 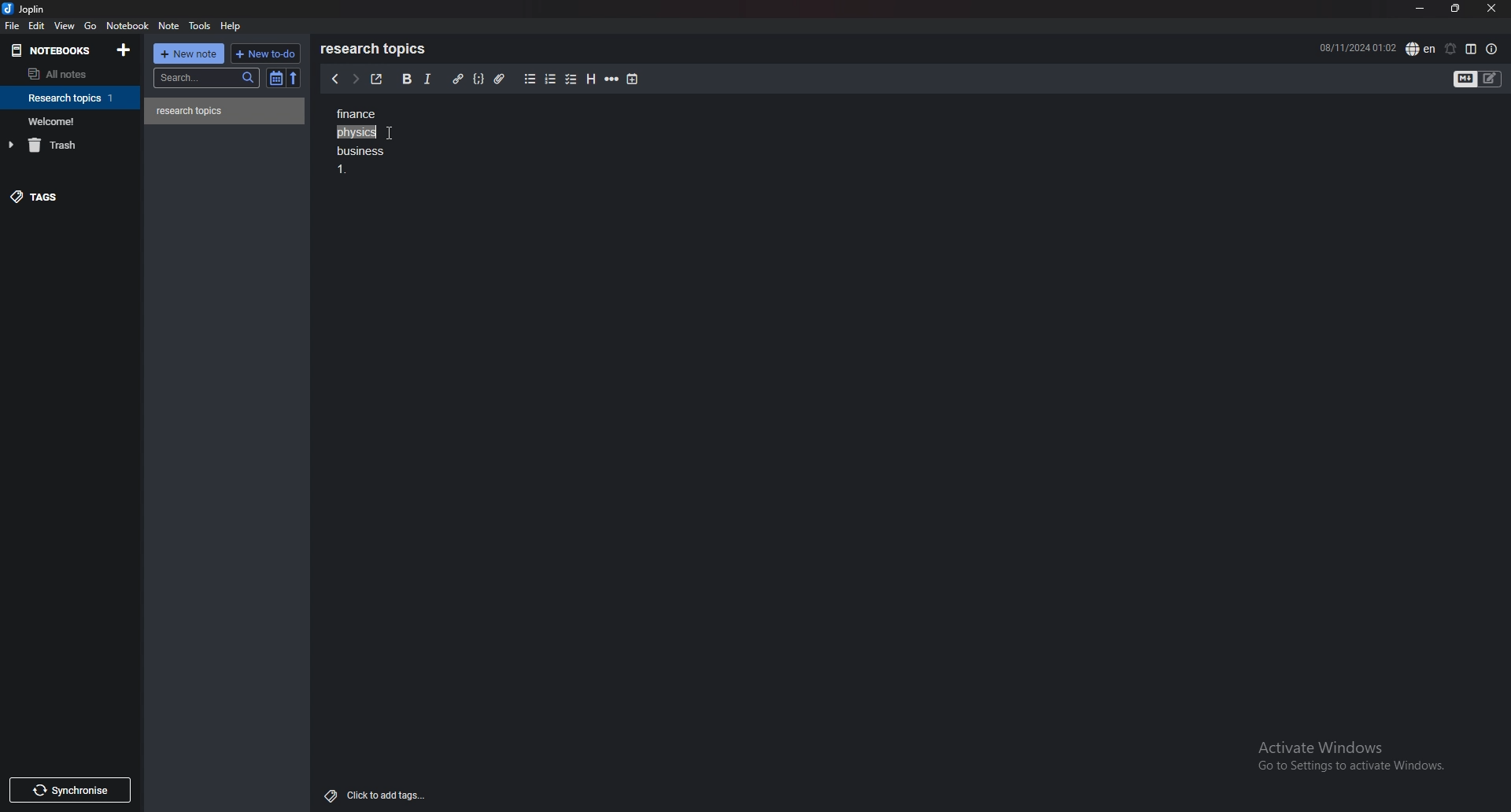 I want to click on Click to add tags, so click(x=371, y=795).